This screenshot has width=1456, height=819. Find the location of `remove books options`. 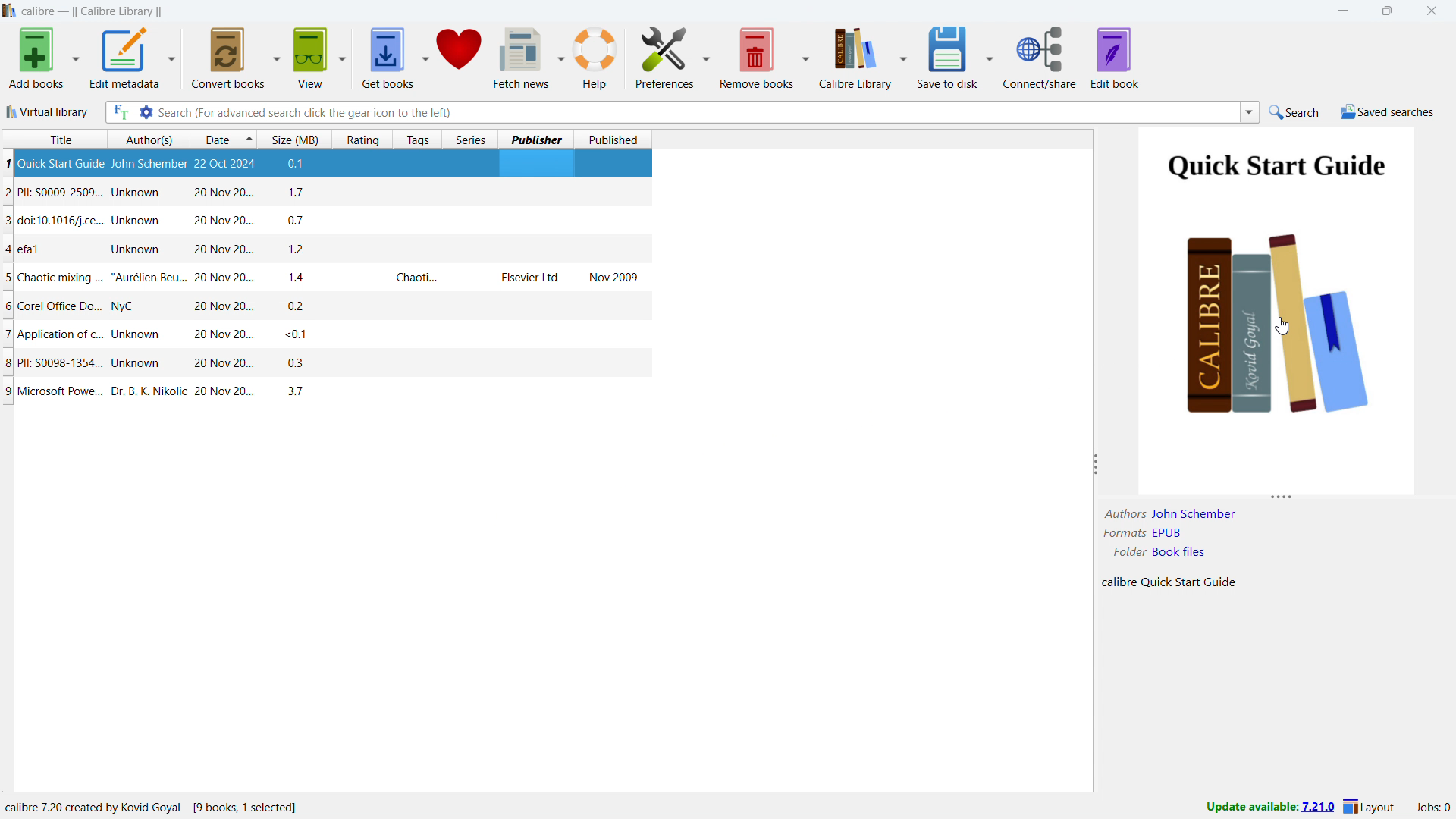

remove books options is located at coordinates (807, 56).